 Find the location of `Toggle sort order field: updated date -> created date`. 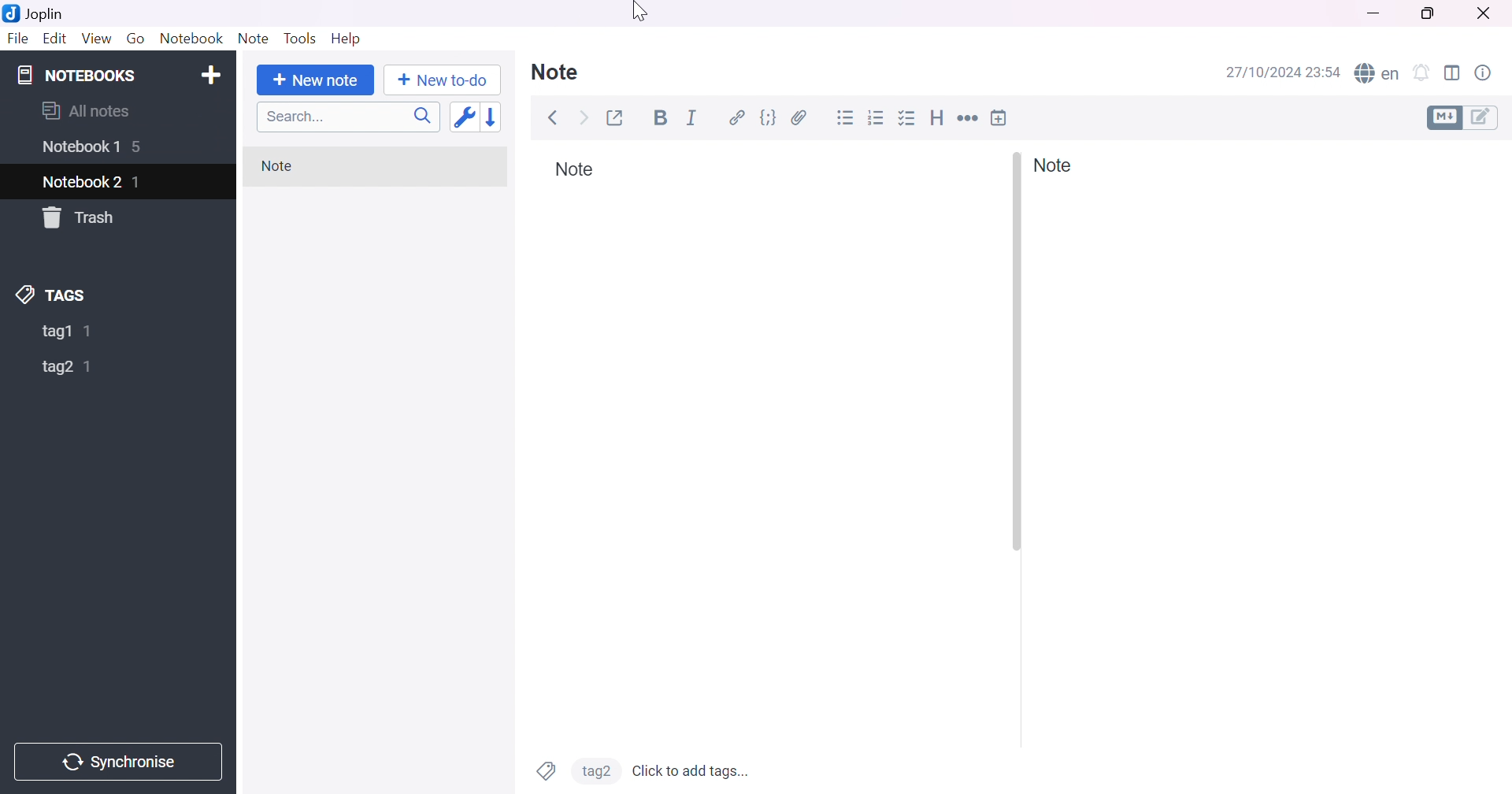

Toggle sort order field: updated date -> created date is located at coordinates (462, 119).